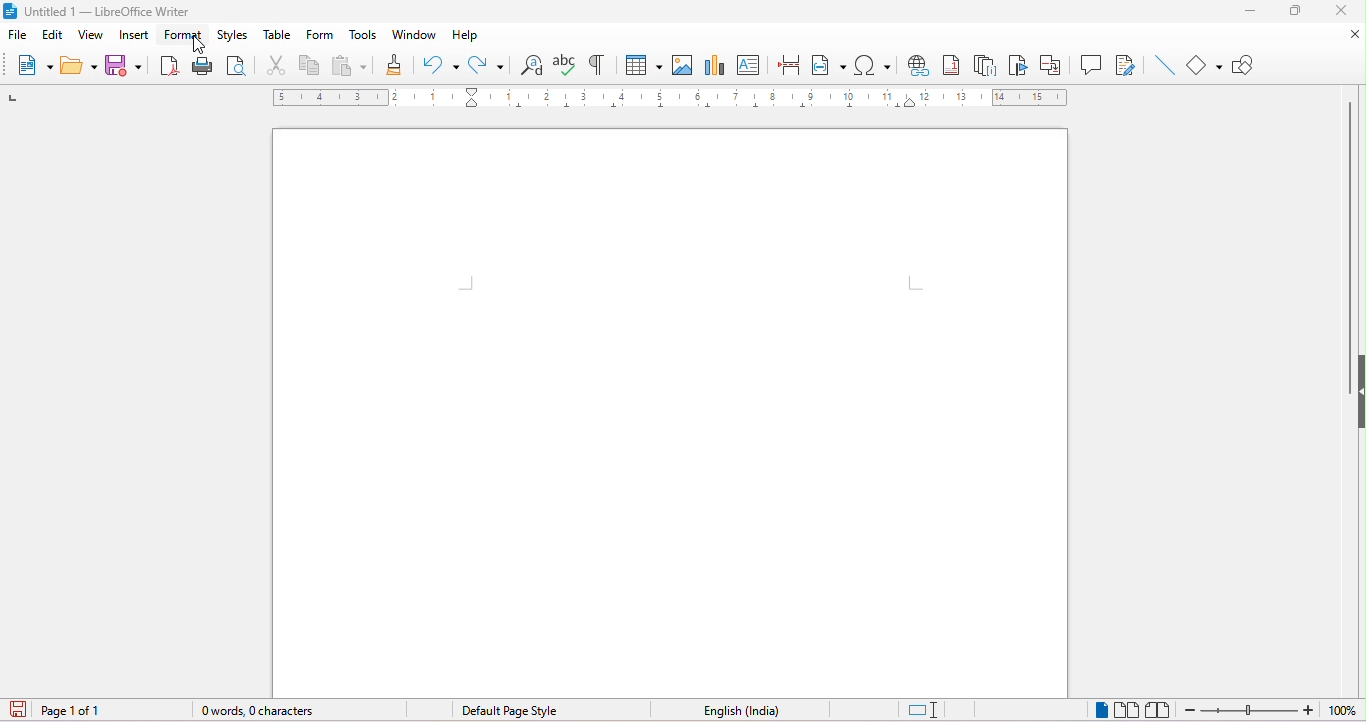 The width and height of the screenshot is (1366, 722). Describe the element at coordinates (669, 99) in the screenshot. I see `ruler` at that location.